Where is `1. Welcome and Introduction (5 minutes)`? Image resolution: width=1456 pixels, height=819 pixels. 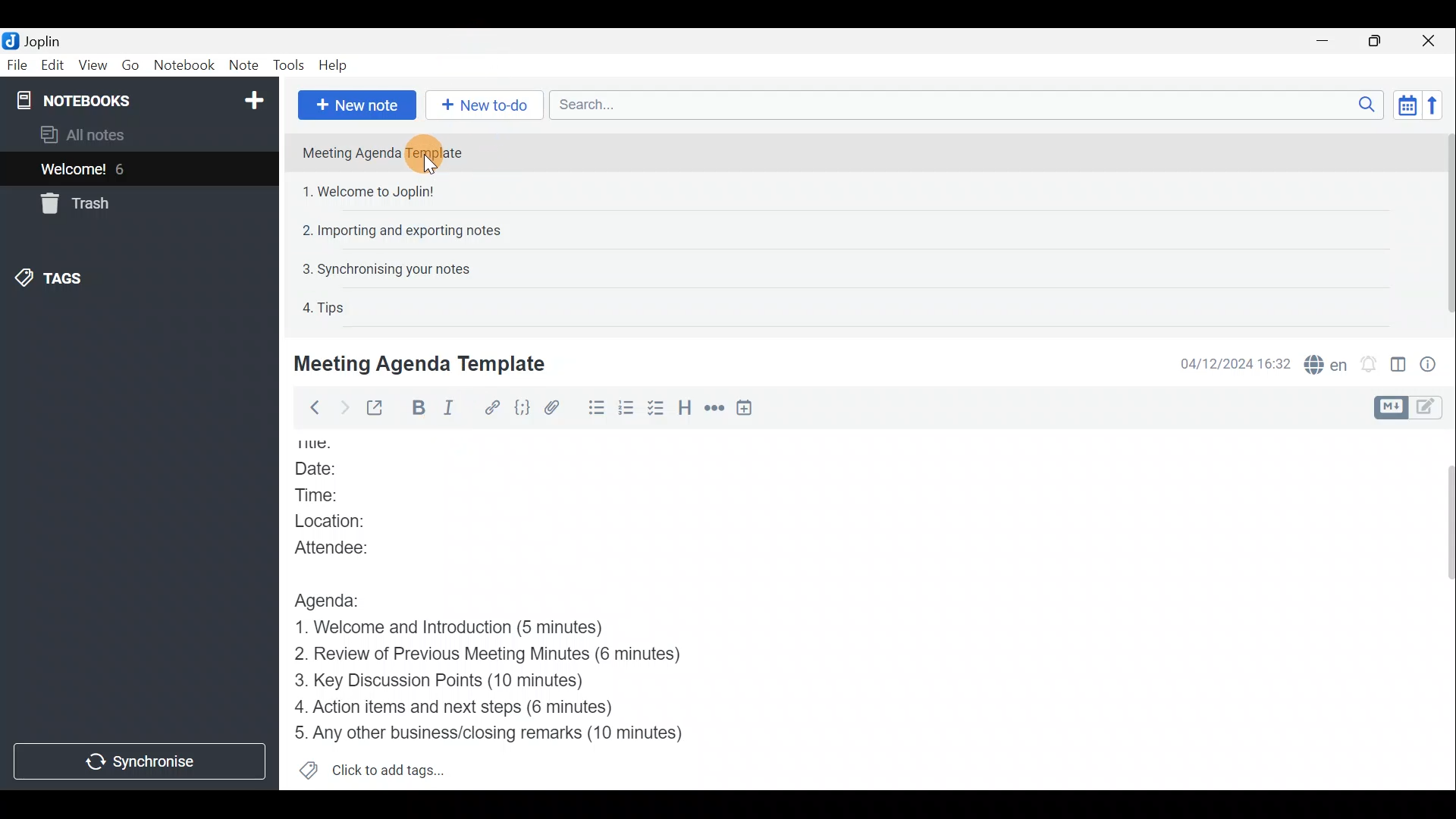
1. Welcome and Introduction (5 minutes) is located at coordinates (474, 629).